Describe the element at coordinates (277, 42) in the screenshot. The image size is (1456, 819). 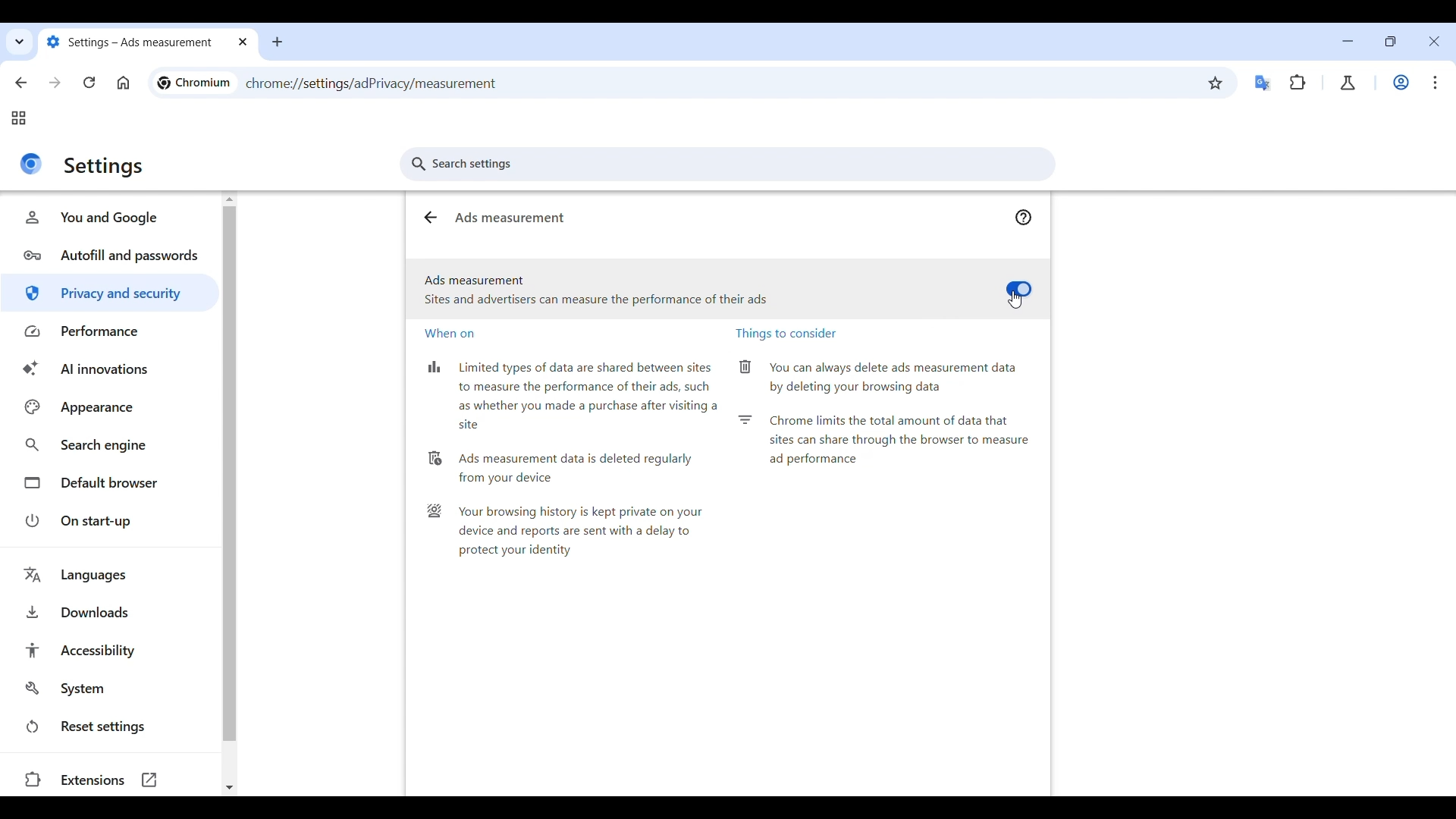
I see `Add new tab` at that location.